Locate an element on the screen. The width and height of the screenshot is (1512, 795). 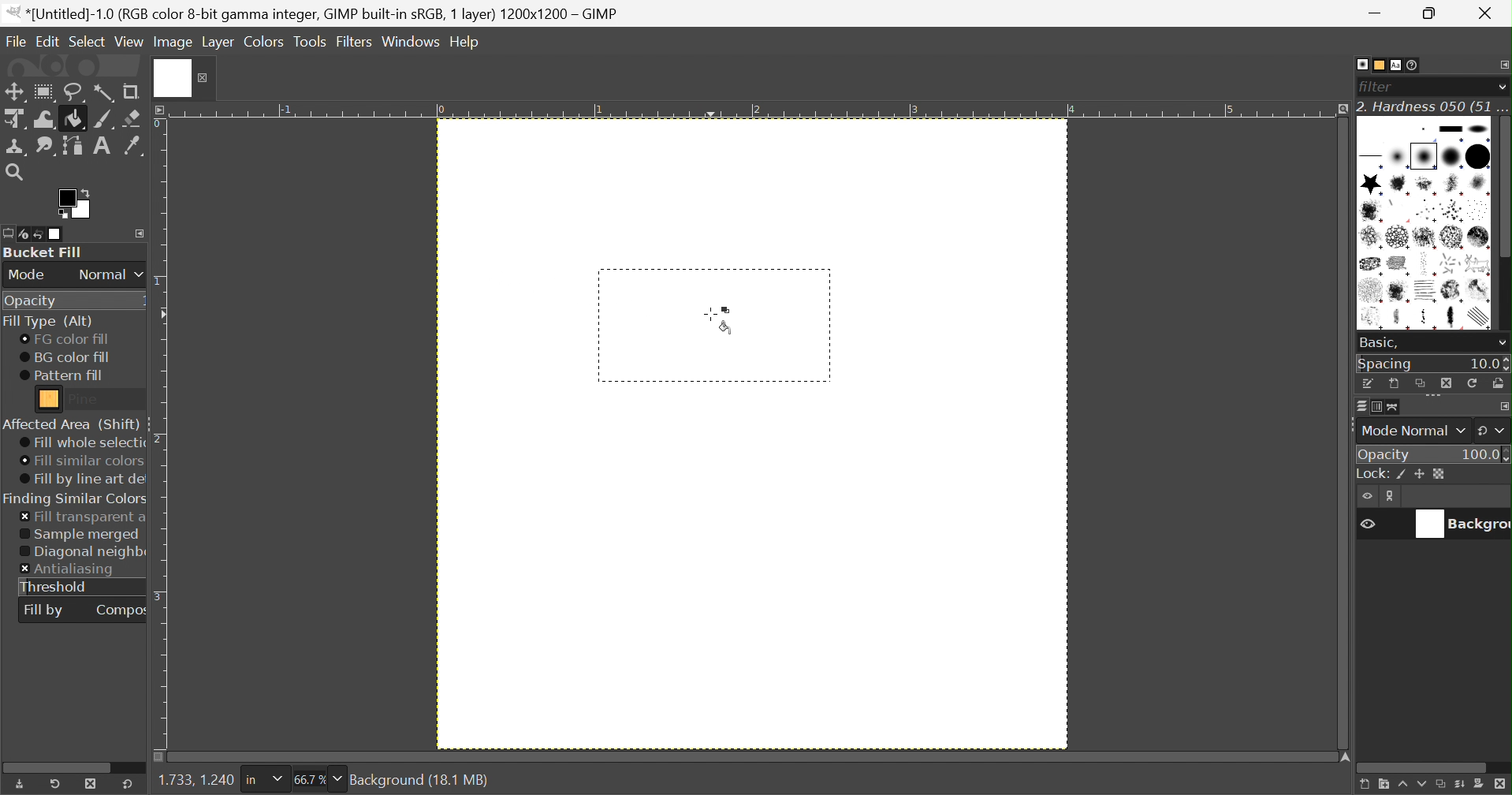
Brushes is located at coordinates (1361, 64).